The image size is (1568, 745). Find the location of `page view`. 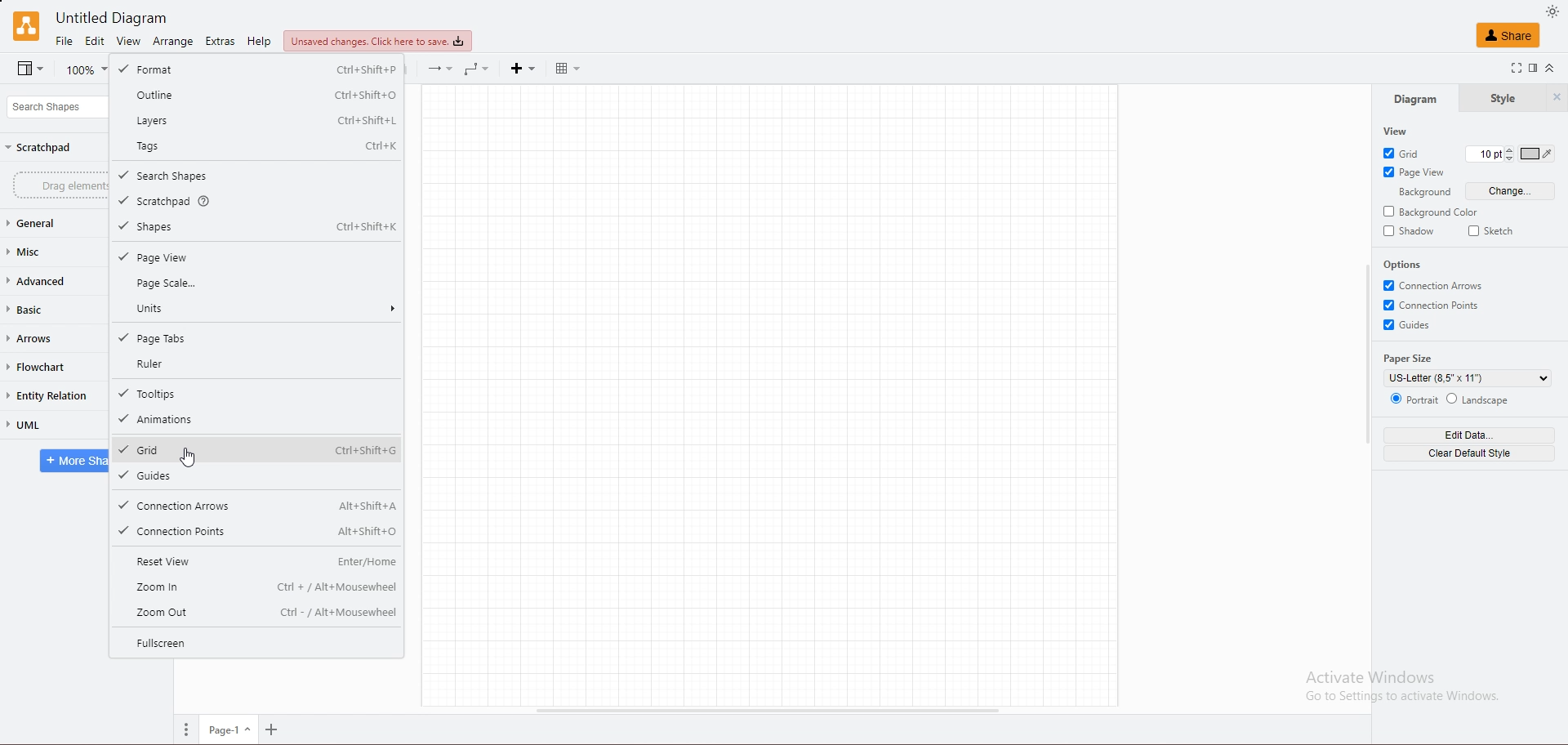

page view is located at coordinates (1416, 172).